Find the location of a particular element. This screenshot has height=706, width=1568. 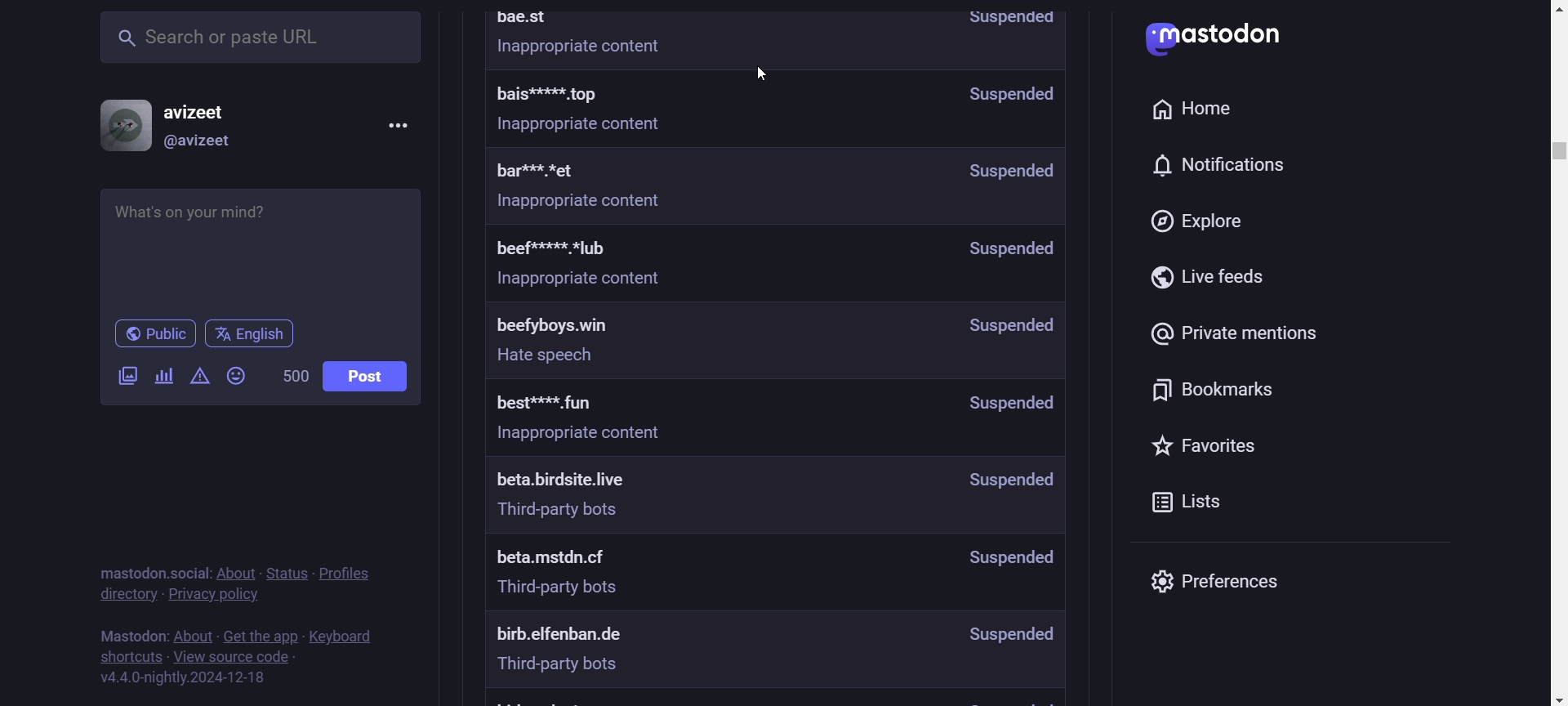

shortucts is located at coordinates (130, 656).